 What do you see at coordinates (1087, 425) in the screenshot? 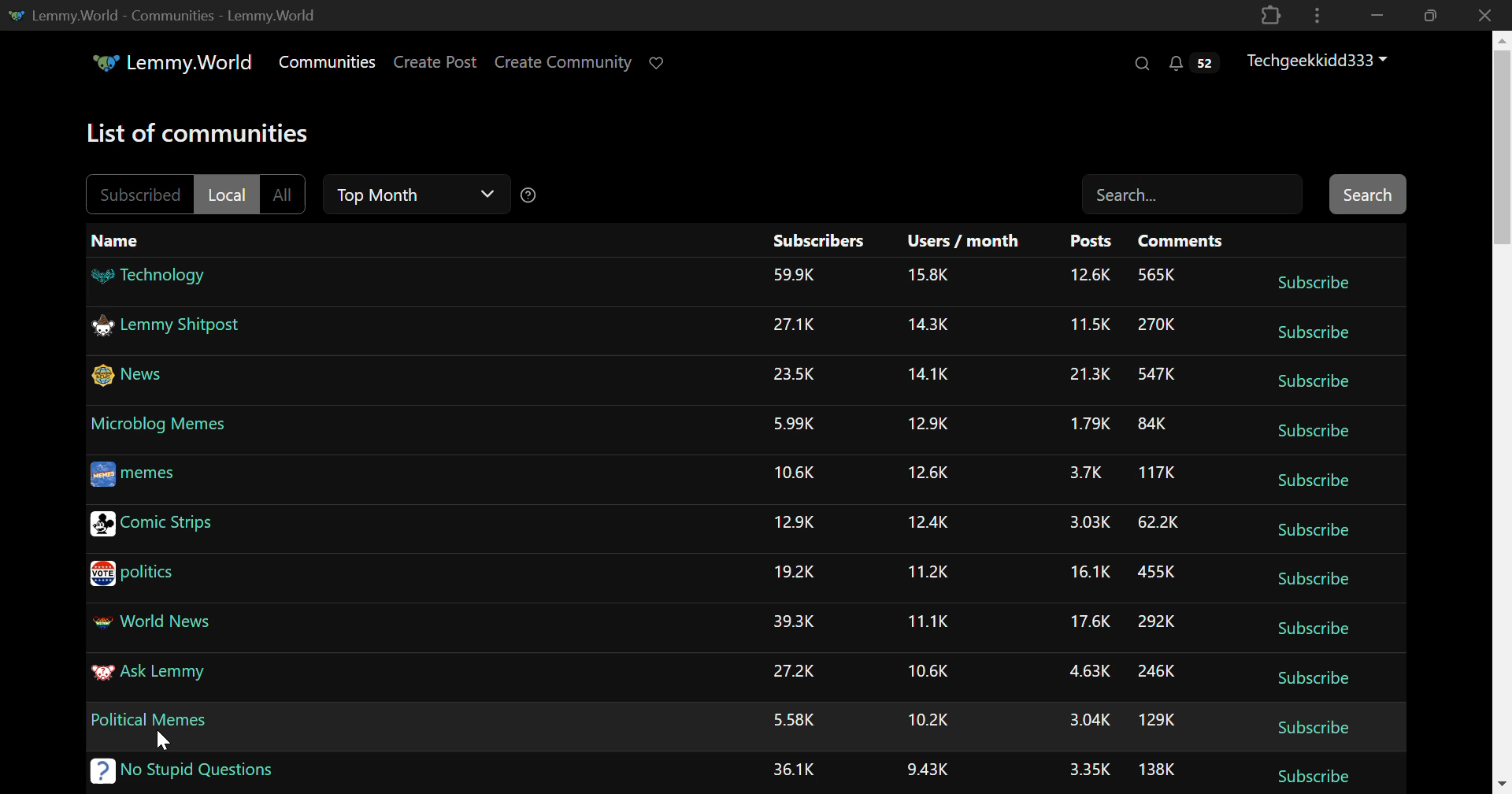
I see `Amount` at bounding box center [1087, 425].